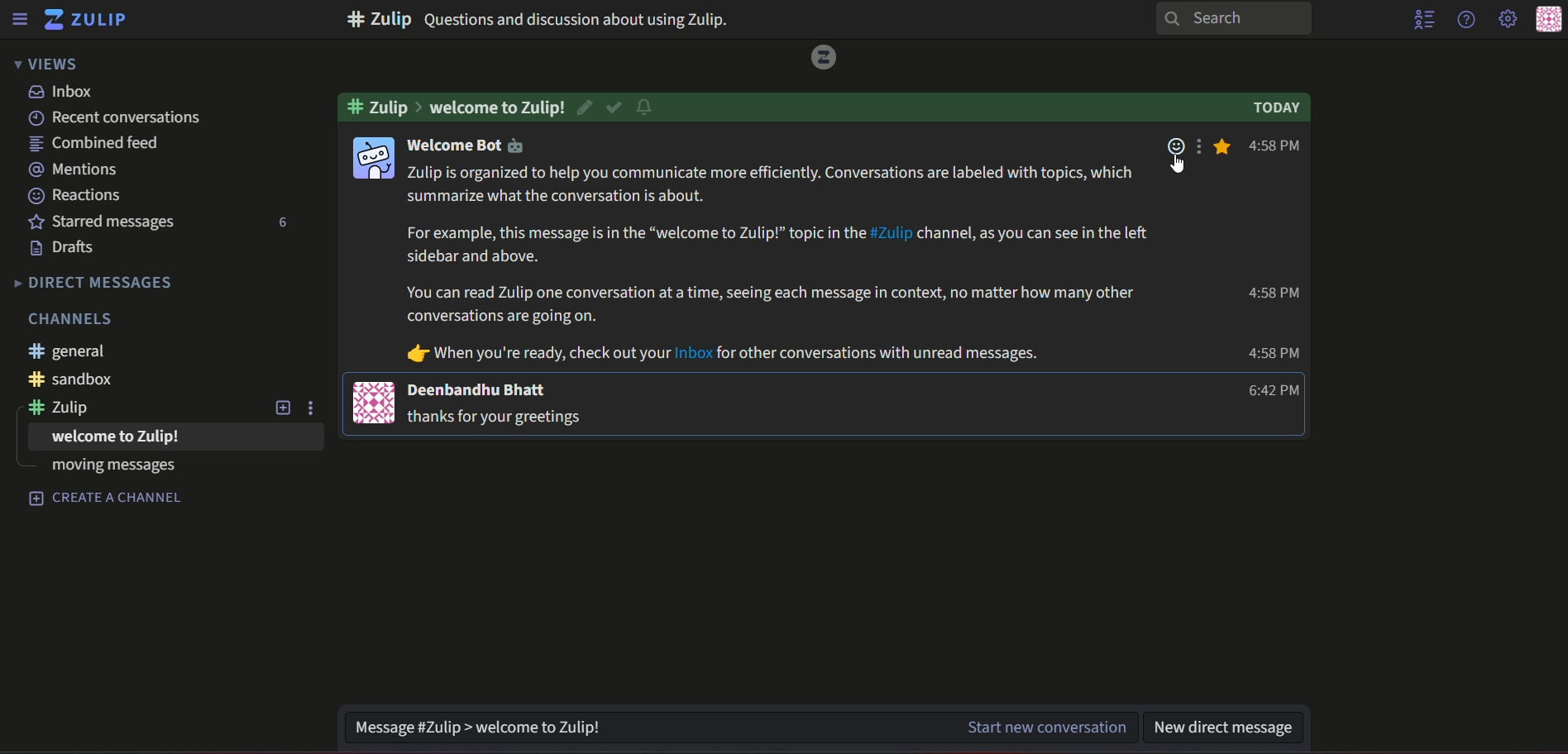 The height and width of the screenshot is (754, 1568). What do you see at coordinates (116, 437) in the screenshot?
I see `Welcome to zulip` at bounding box center [116, 437].